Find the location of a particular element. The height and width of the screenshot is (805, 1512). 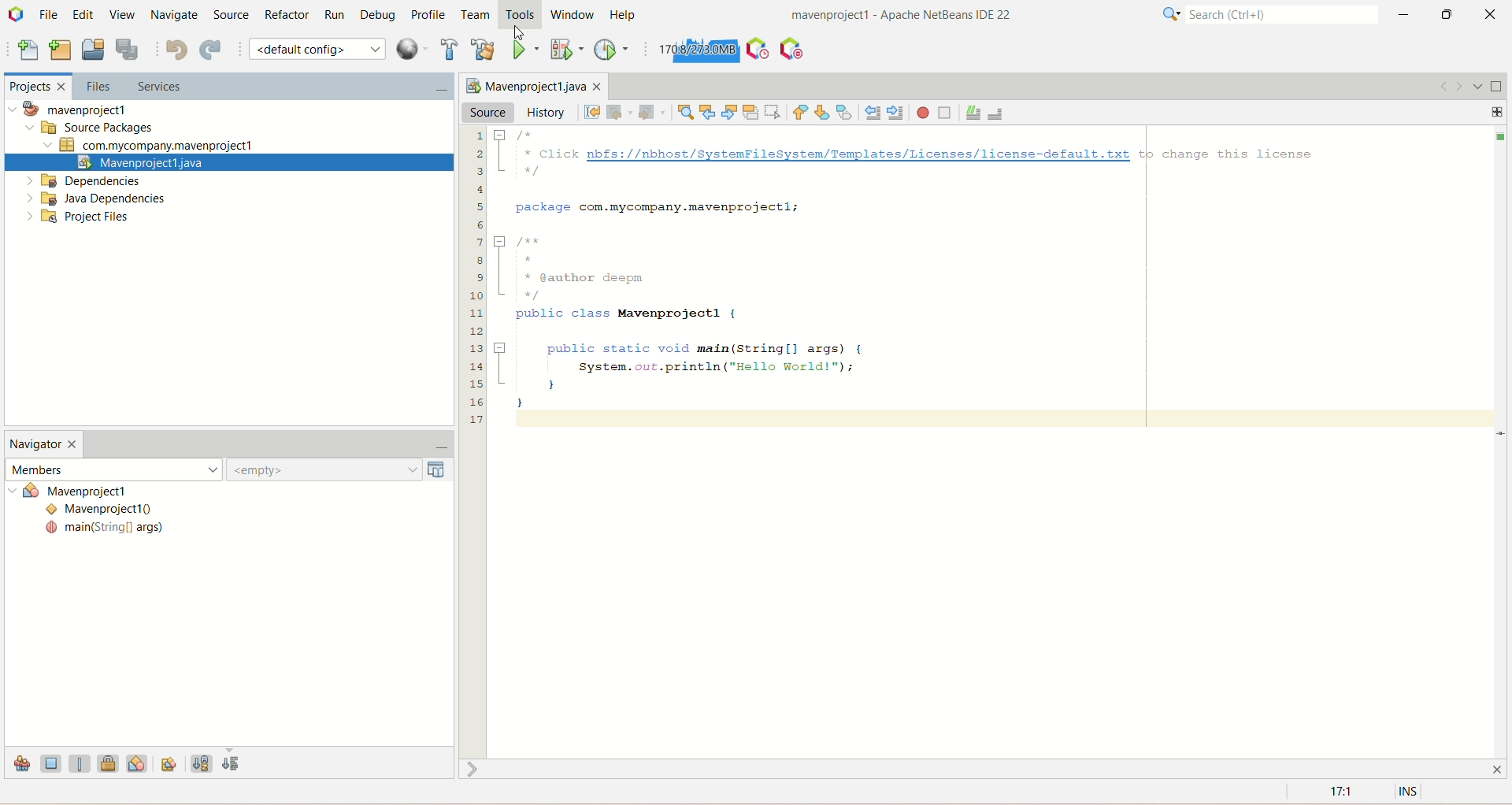

members is located at coordinates (113, 468).